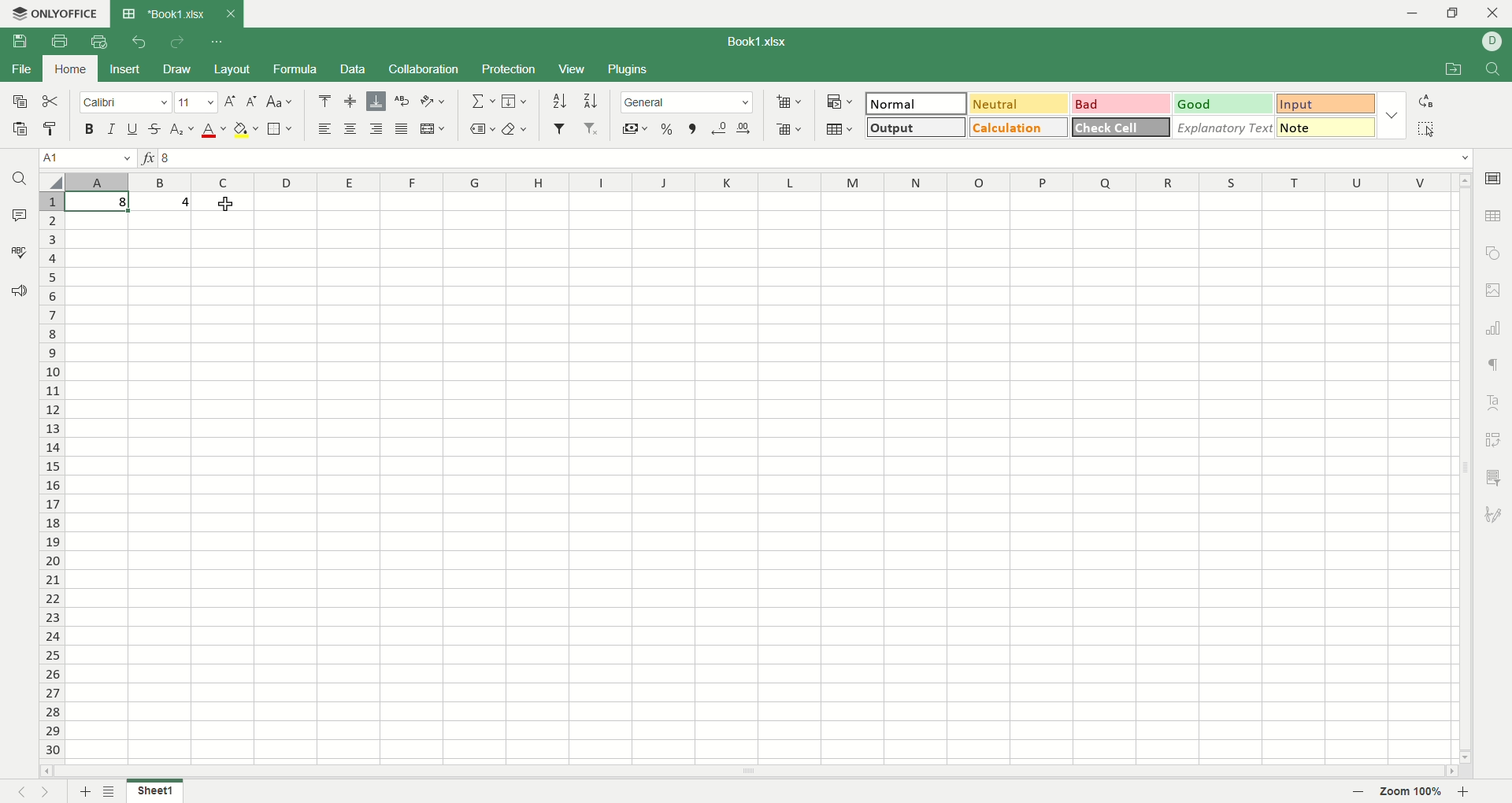 This screenshot has height=803, width=1512. What do you see at coordinates (111, 128) in the screenshot?
I see `italic` at bounding box center [111, 128].